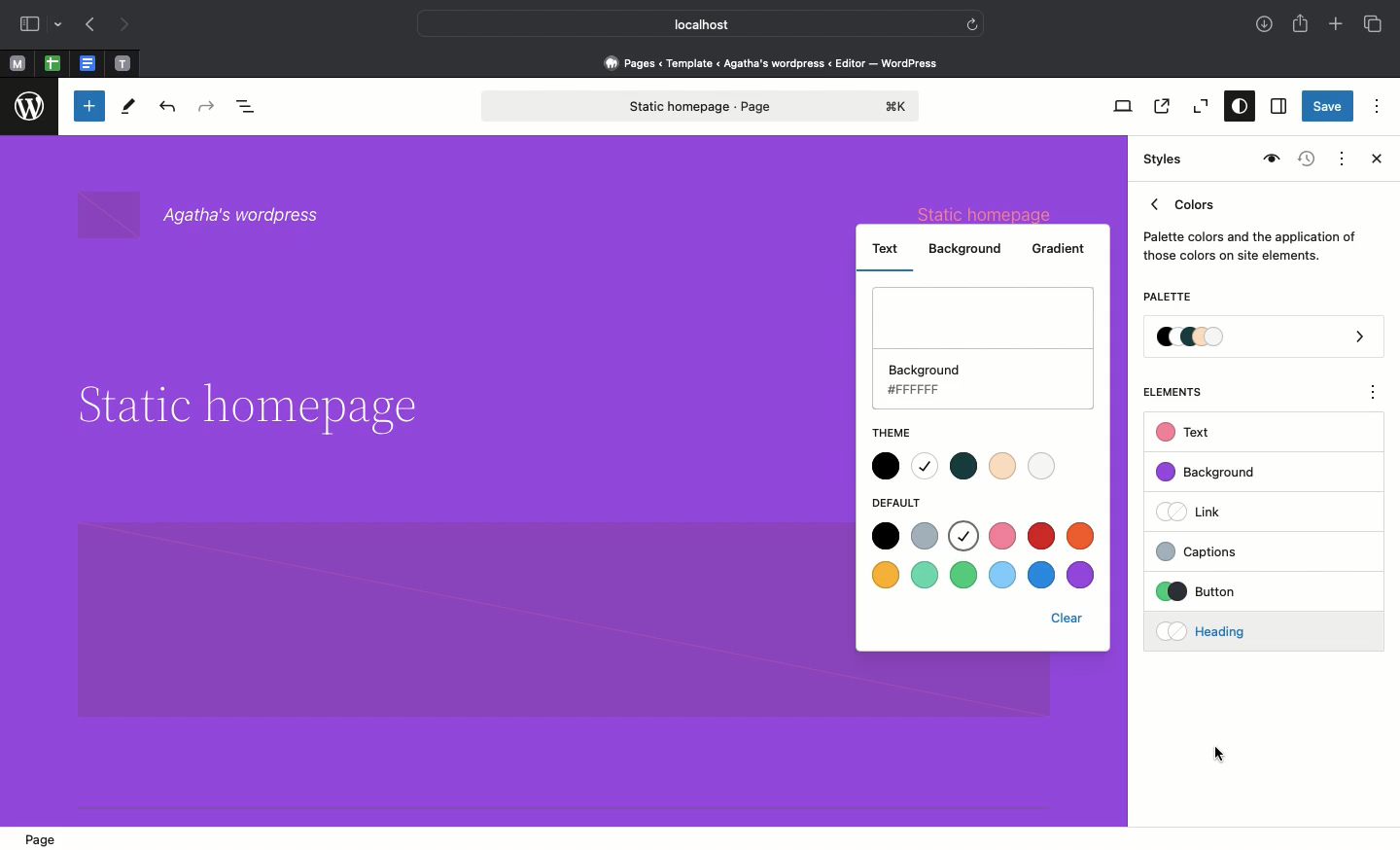 The width and height of the screenshot is (1400, 850). I want to click on captions, so click(1231, 549).